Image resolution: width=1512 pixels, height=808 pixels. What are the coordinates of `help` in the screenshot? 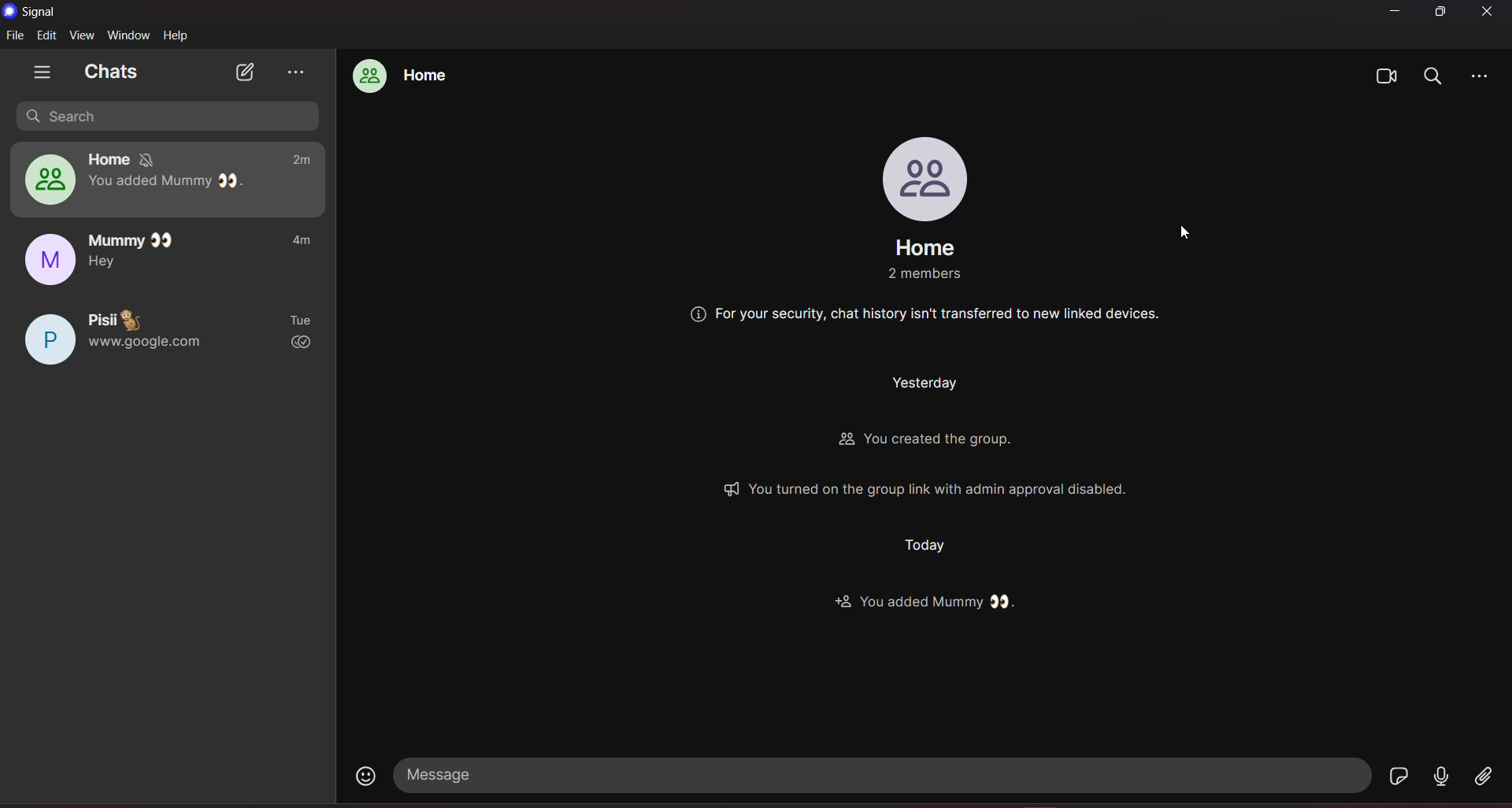 It's located at (178, 36).